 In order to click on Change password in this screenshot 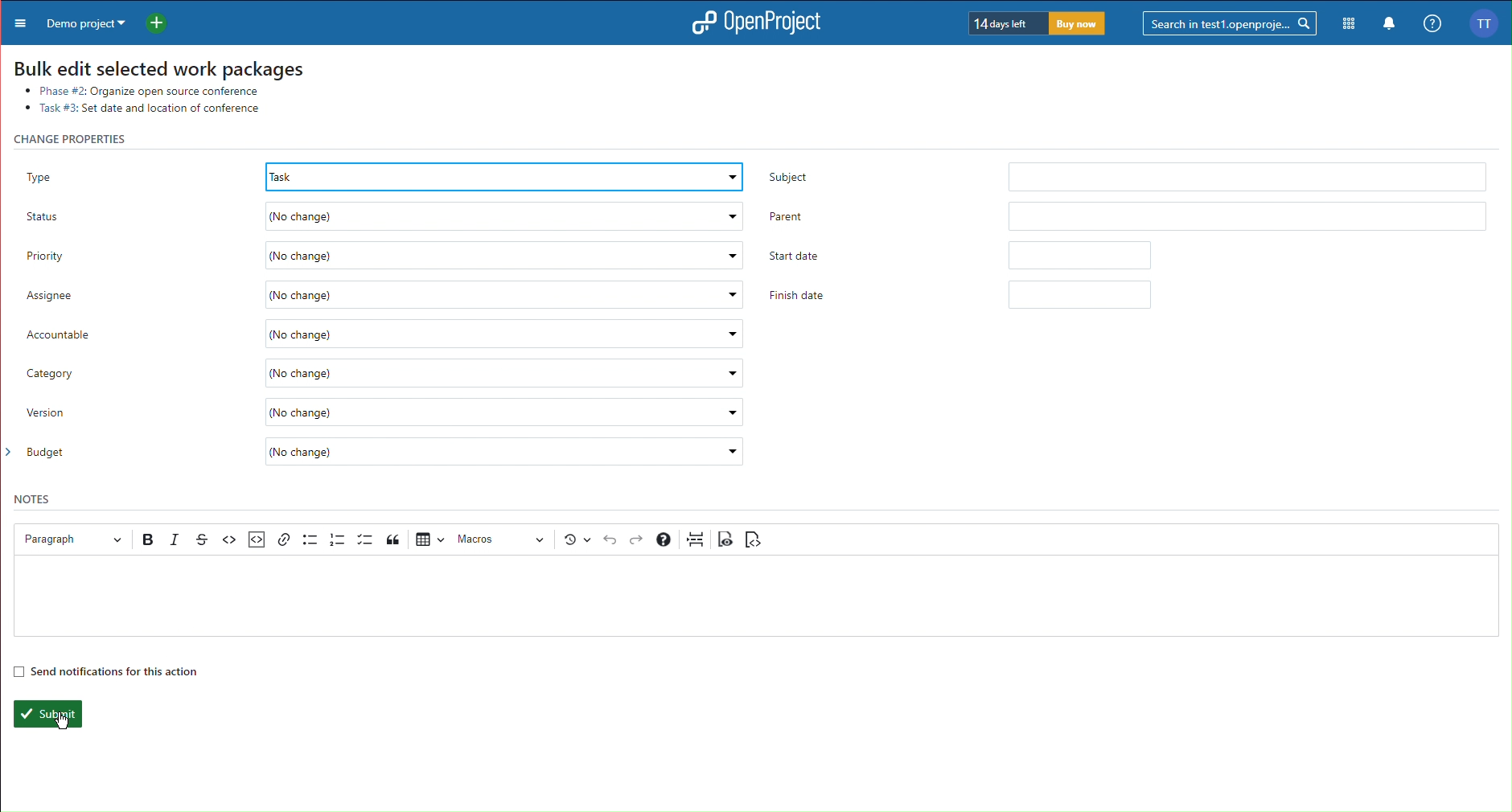, I will do `click(78, 138)`.